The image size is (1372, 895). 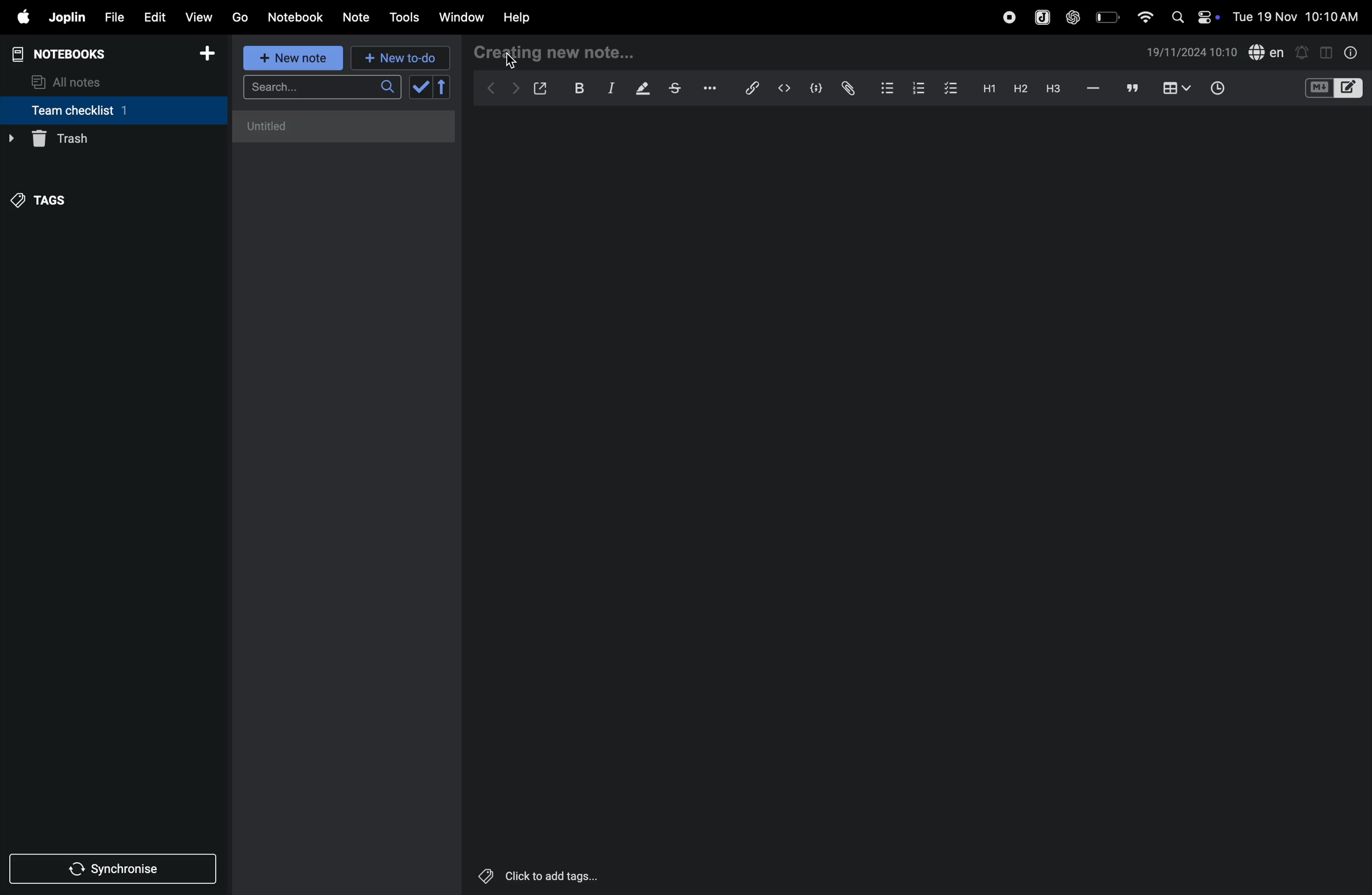 What do you see at coordinates (114, 16) in the screenshot?
I see `file` at bounding box center [114, 16].